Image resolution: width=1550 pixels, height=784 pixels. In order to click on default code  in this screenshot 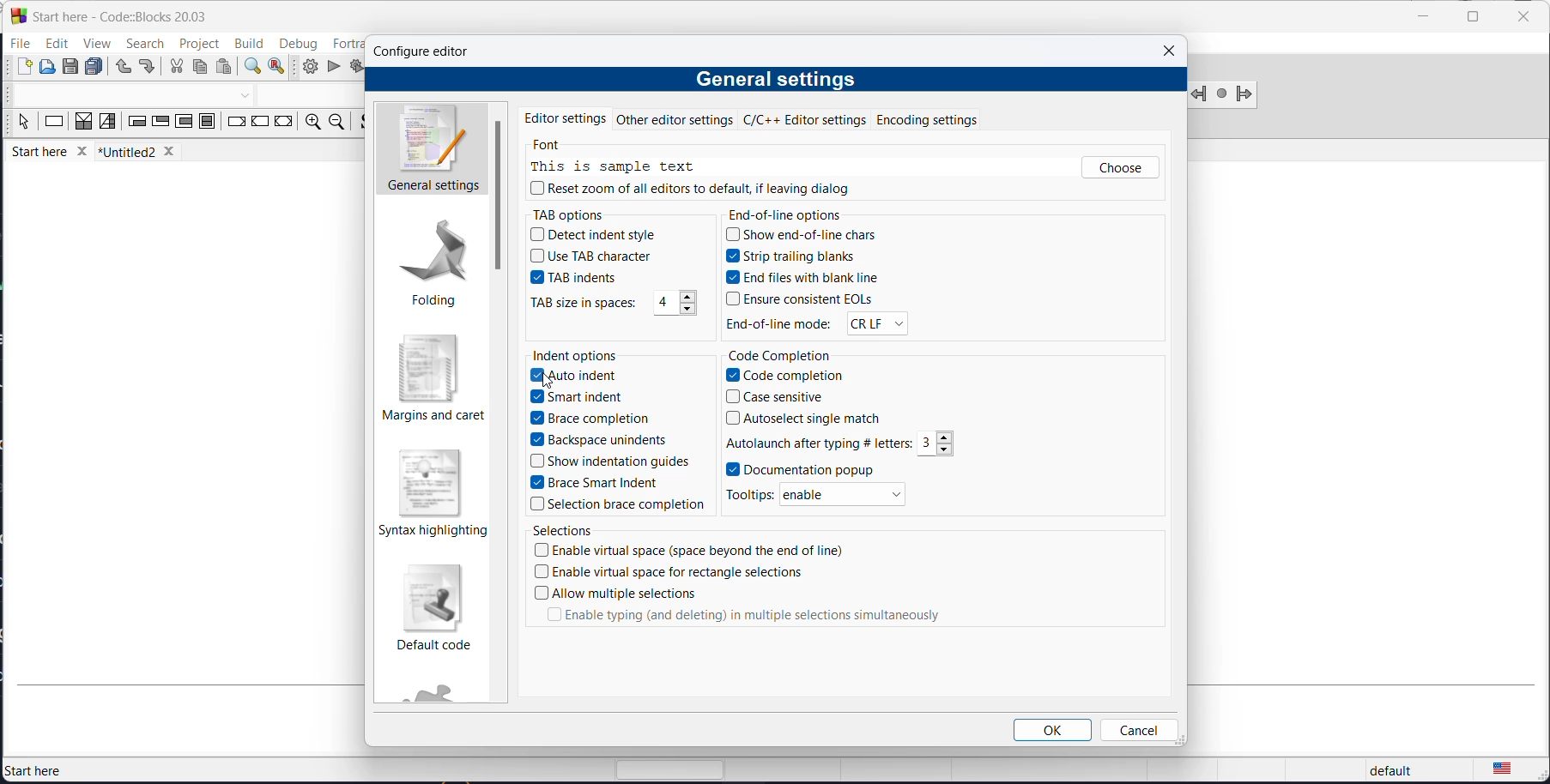, I will do `click(440, 608)`.